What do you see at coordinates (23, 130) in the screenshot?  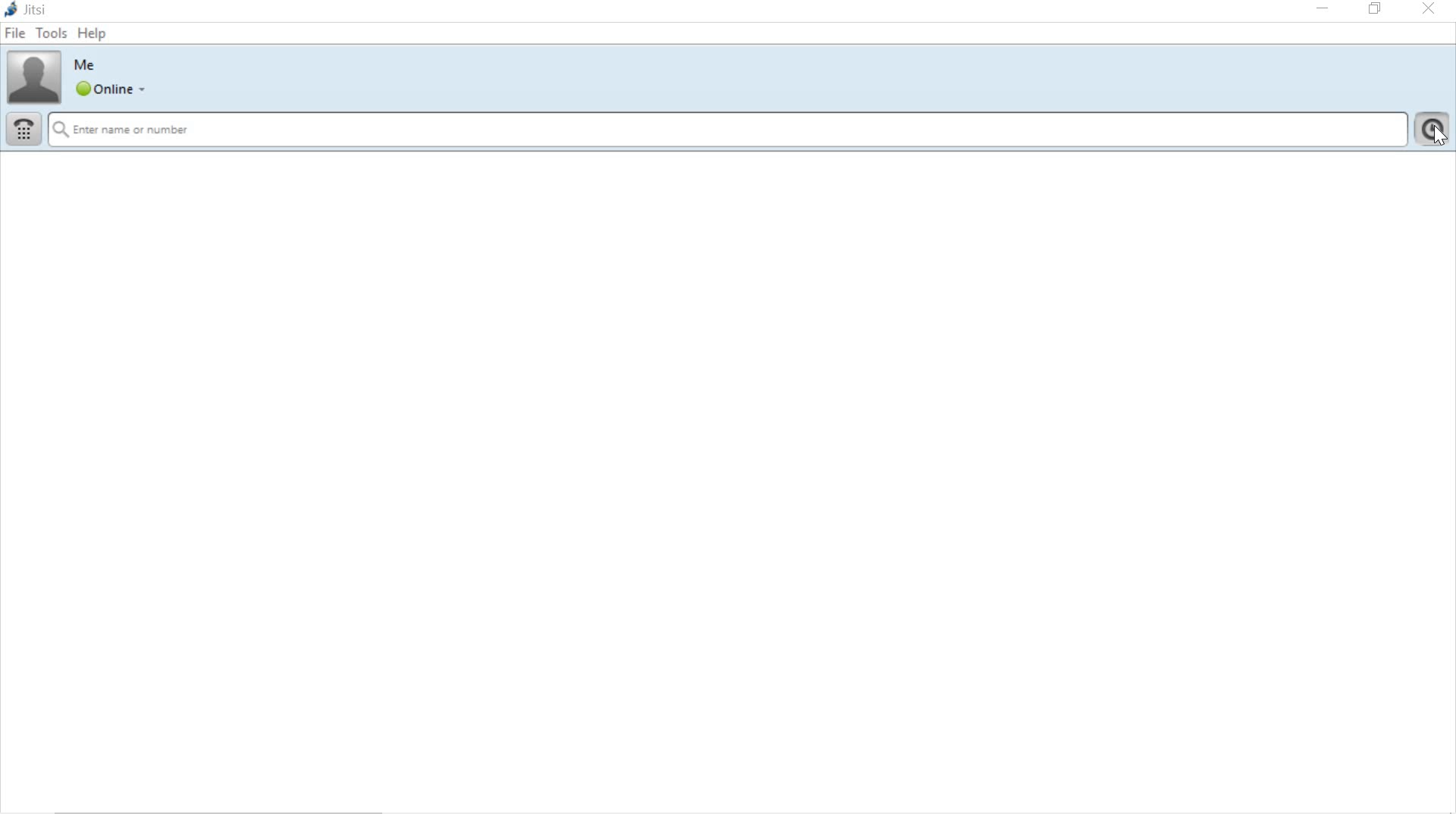 I see `dial pad` at bounding box center [23, 130].